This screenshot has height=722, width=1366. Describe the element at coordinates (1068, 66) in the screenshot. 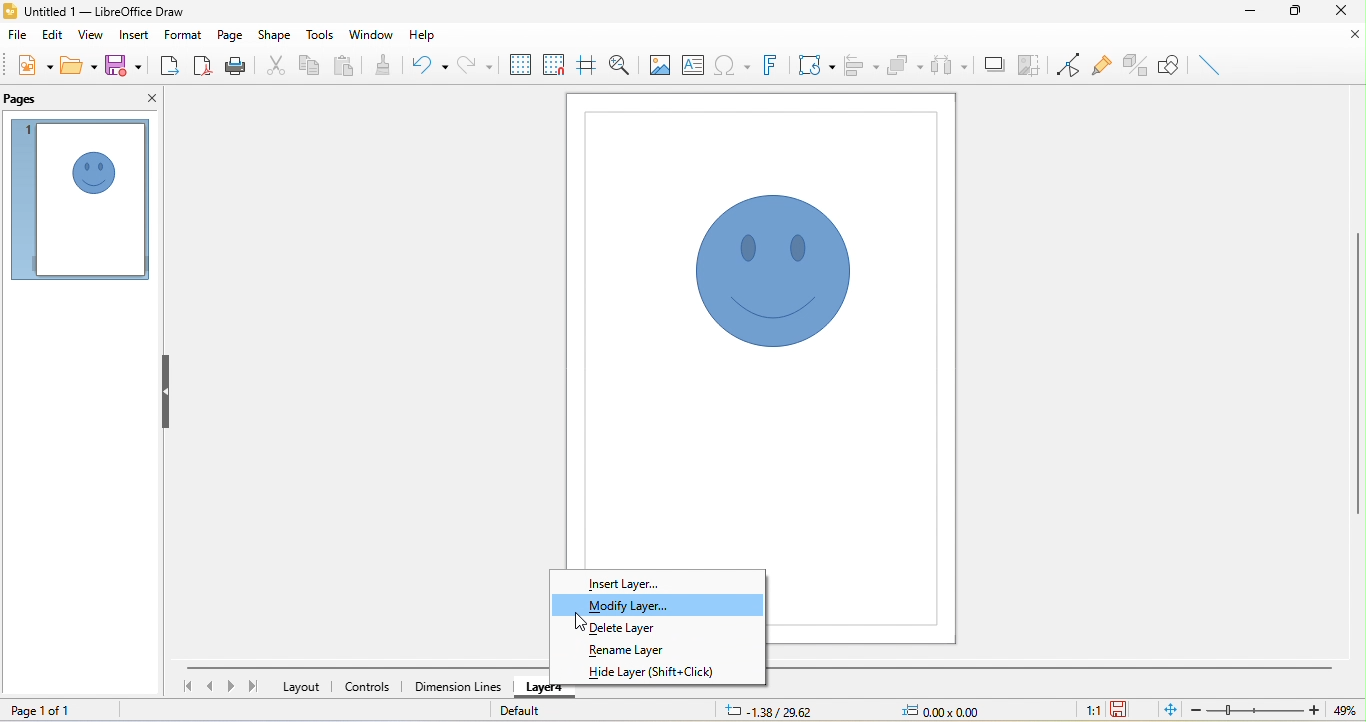

I see `toggle point edit mode` at that location.